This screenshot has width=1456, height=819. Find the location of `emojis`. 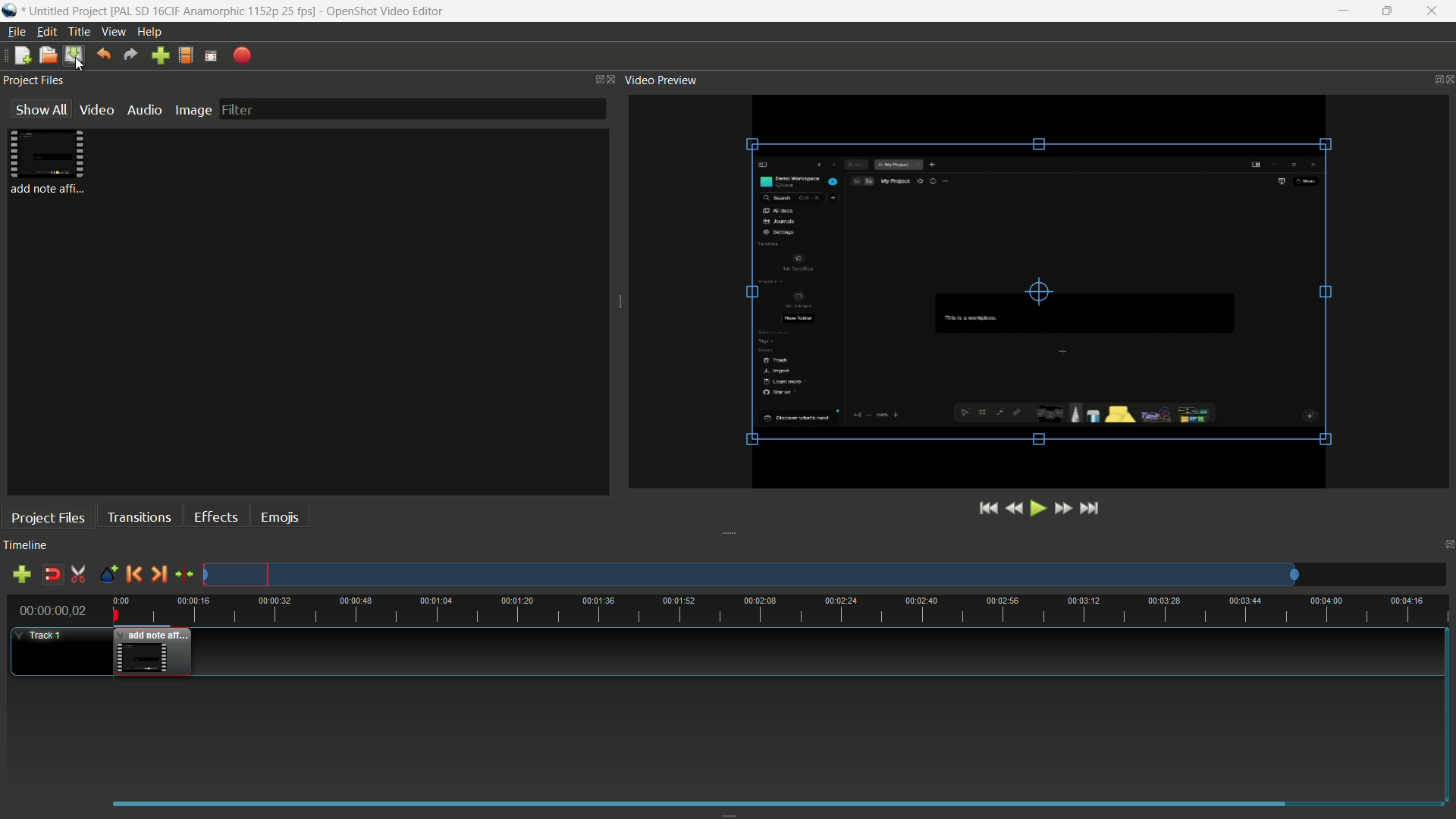

emojis is located at coordinates (281, 516).